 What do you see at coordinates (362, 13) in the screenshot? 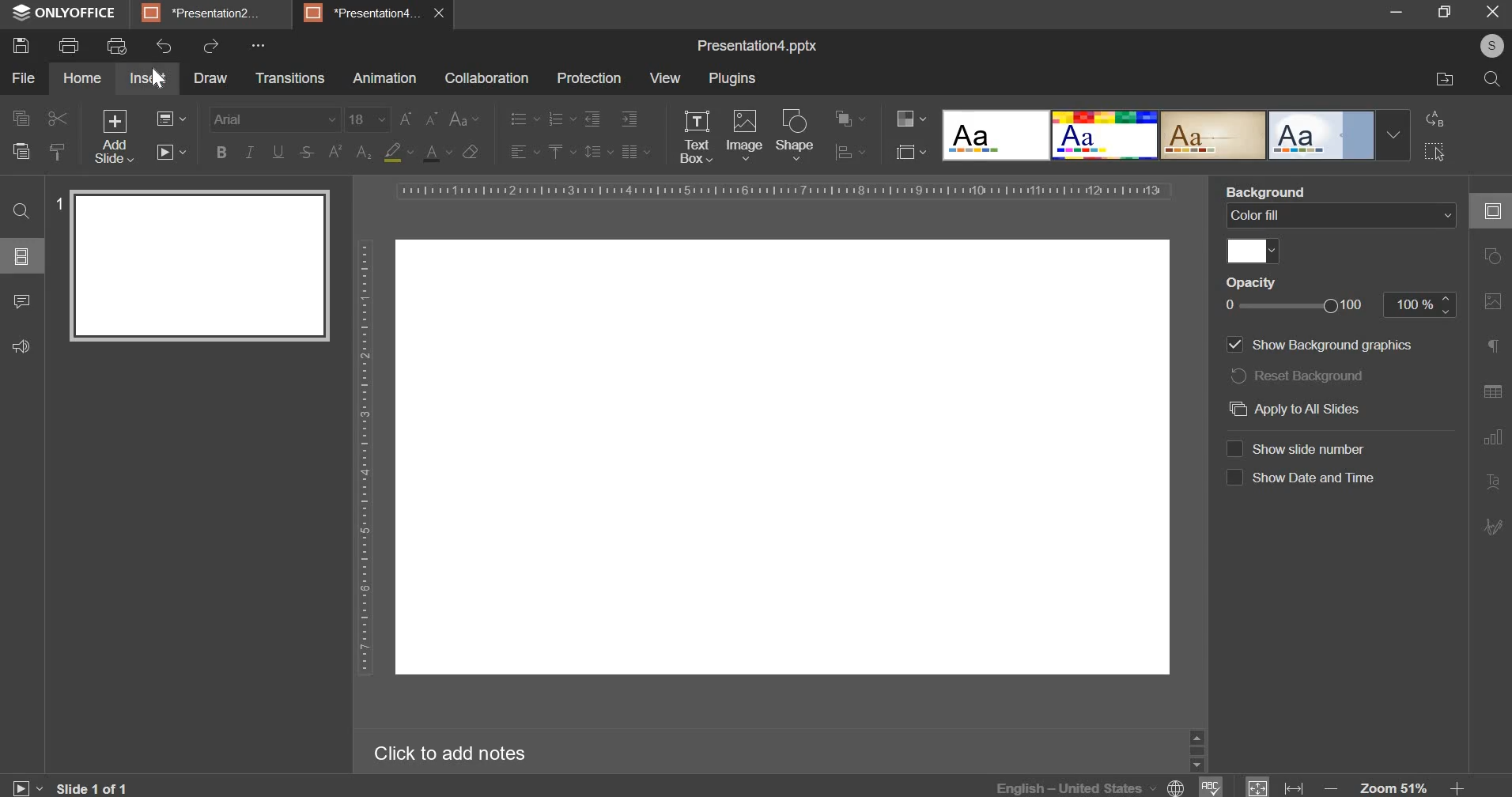
I see `Presentation4` at bounding box center [362, 13].